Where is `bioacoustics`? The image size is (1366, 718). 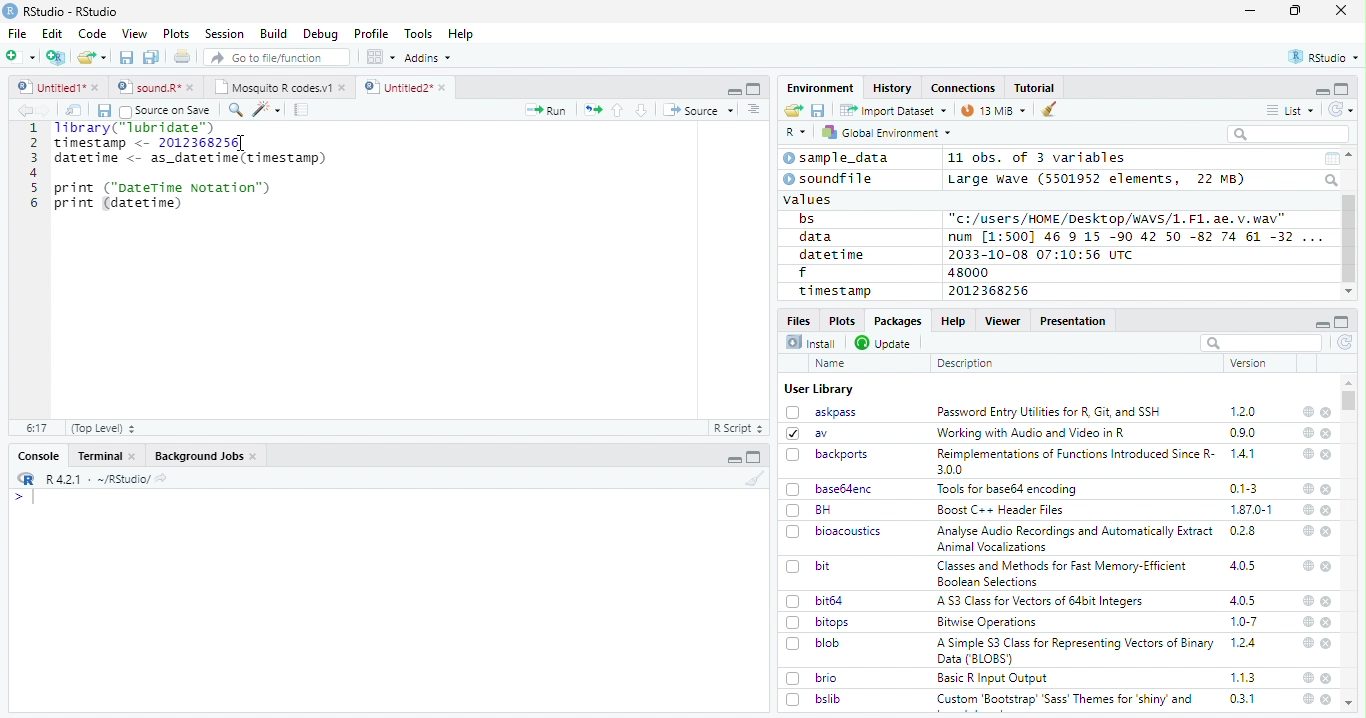 bioacoustics is located at coordinates (834, 531).